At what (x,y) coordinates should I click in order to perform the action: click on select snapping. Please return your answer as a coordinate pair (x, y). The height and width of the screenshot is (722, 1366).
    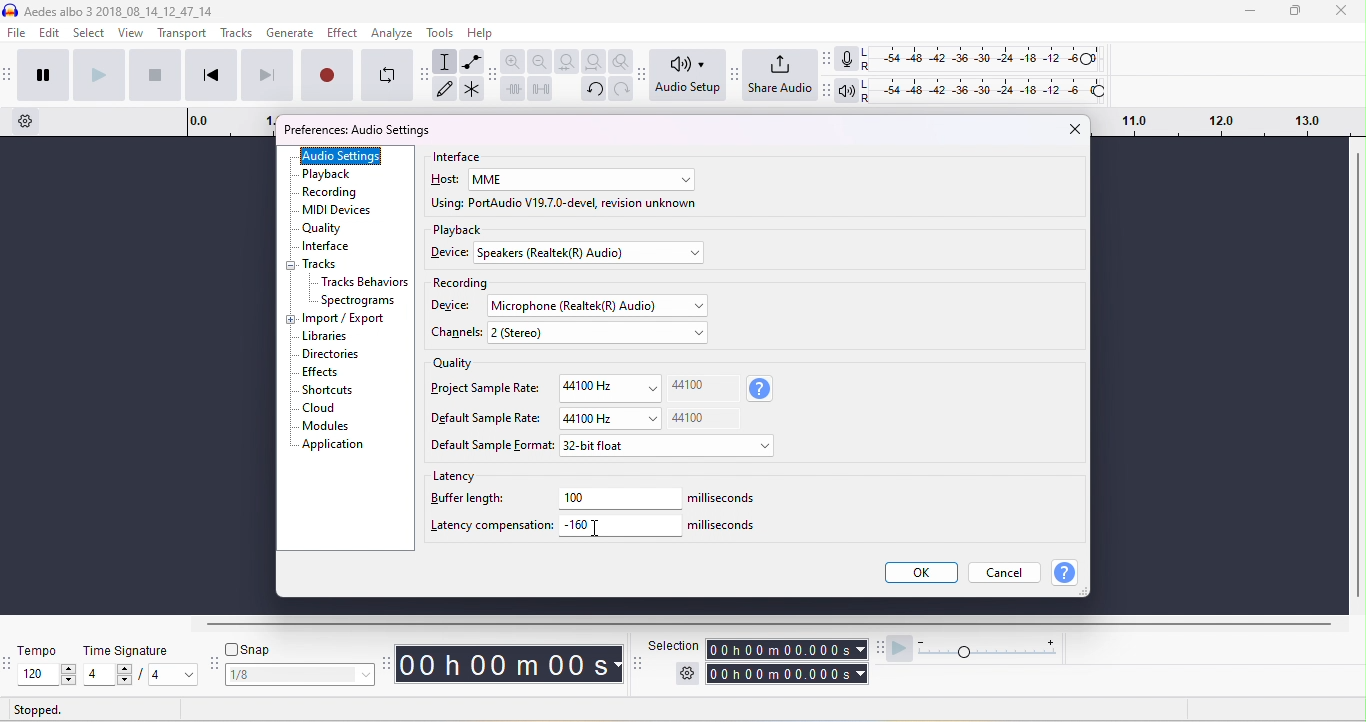
    Looking at the image, I should click on (302, 675).